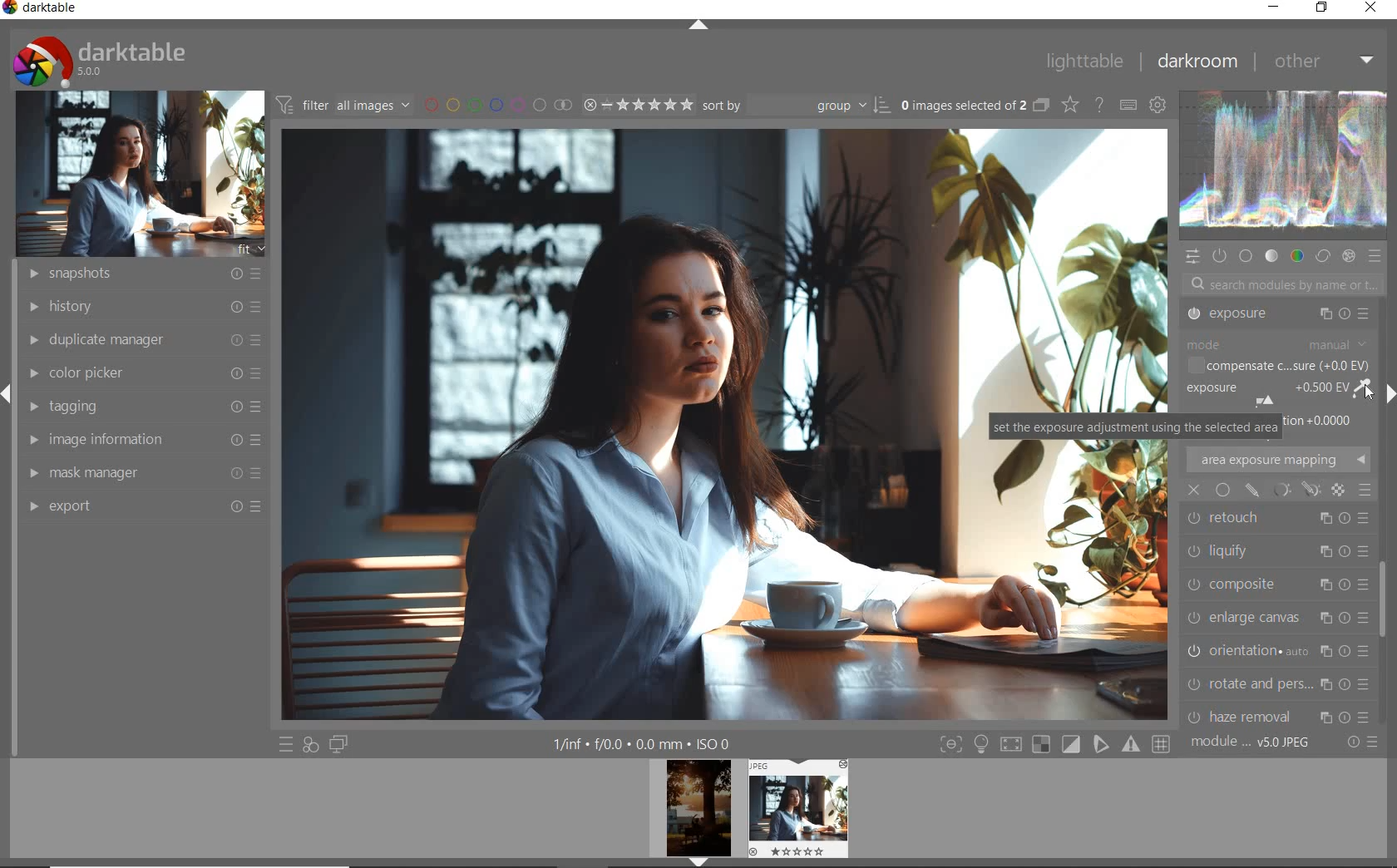  Describe the element at coordinates (1296, 257) in the screenshot. I see `COLOR` at that location.